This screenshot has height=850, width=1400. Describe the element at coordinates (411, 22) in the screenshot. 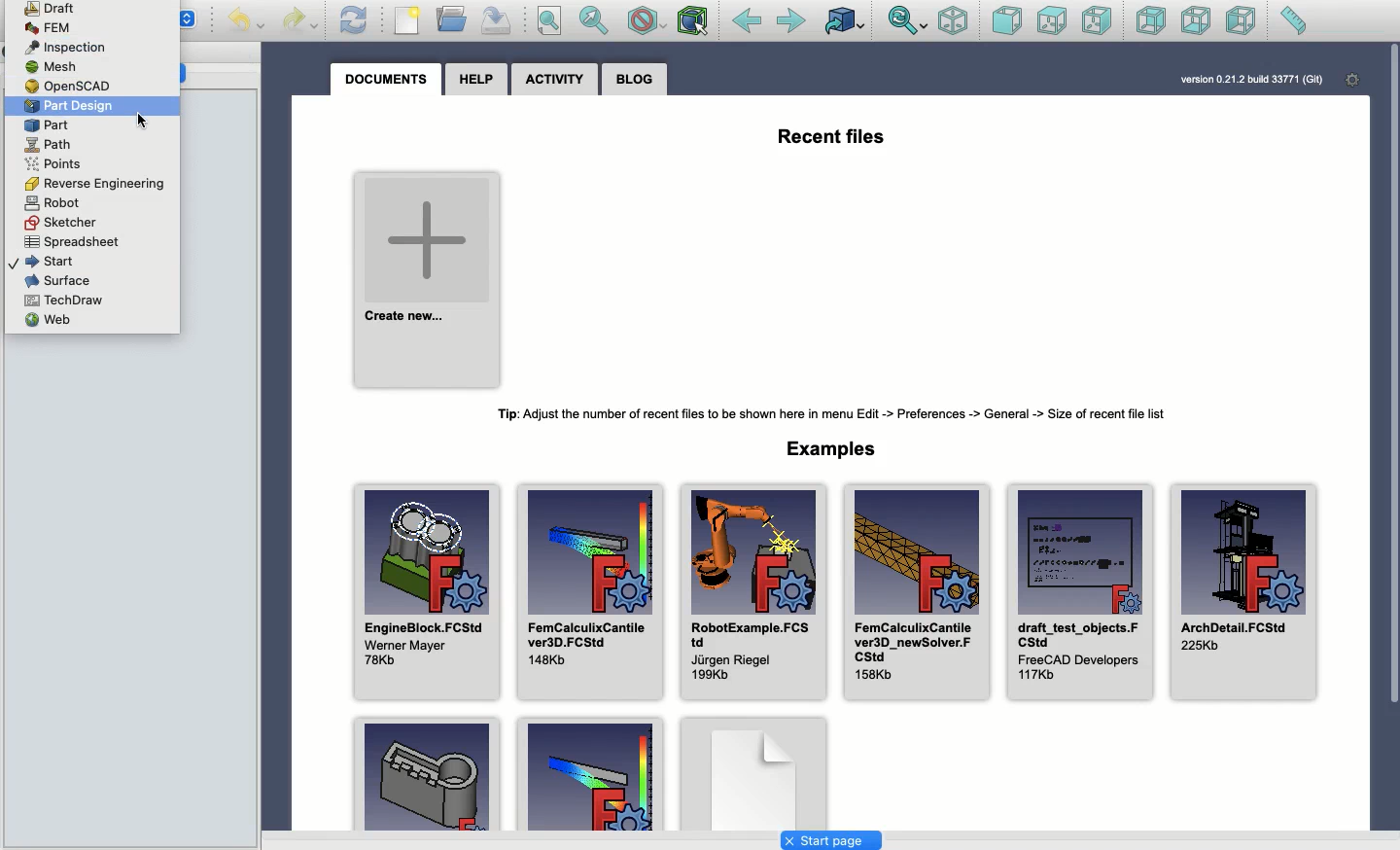

I see `New` at that location.